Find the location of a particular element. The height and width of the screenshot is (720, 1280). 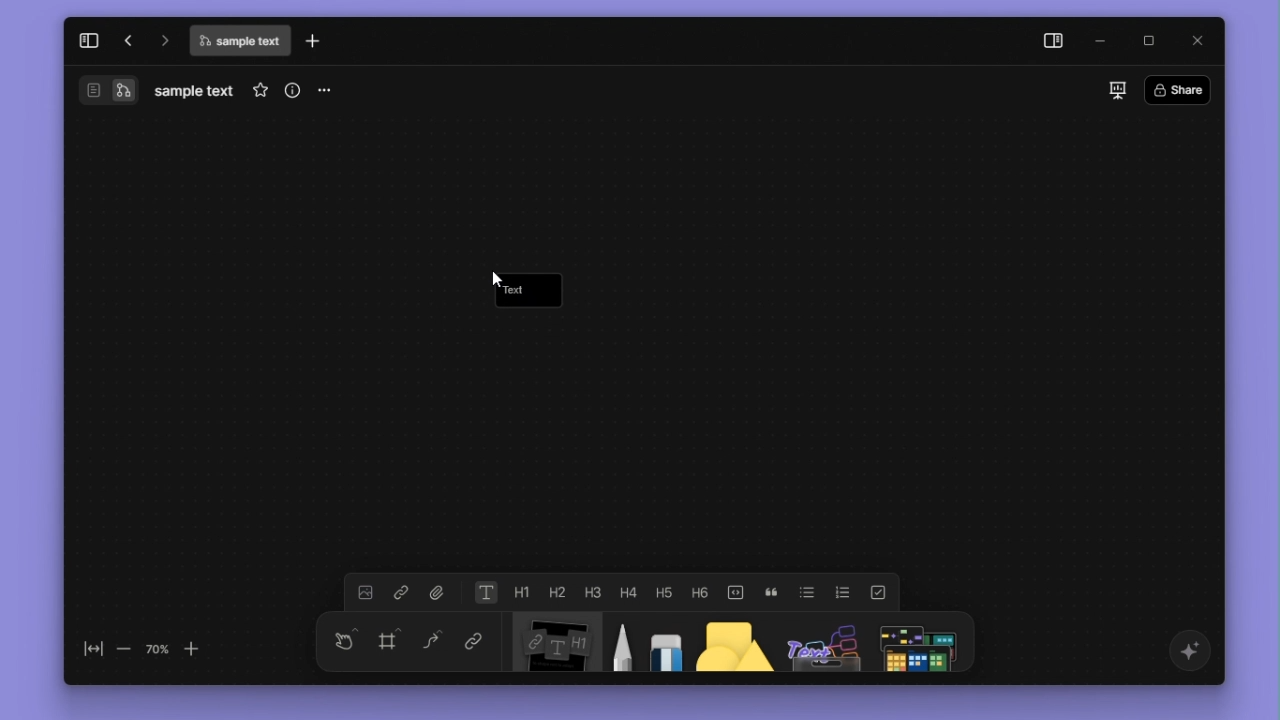

favourites is located at coordinates (256, 90).